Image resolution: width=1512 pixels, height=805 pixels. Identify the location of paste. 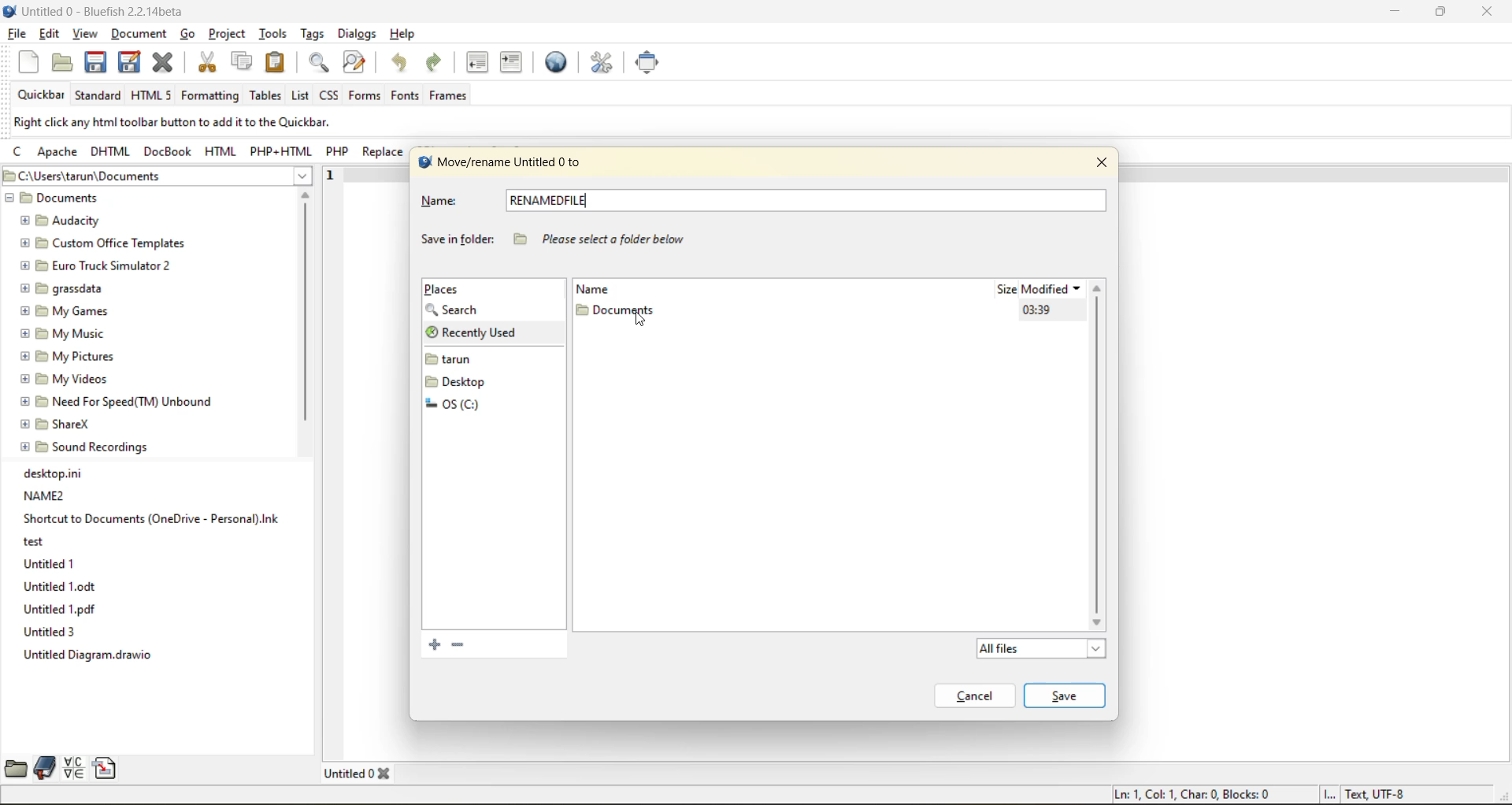
(277, 62).